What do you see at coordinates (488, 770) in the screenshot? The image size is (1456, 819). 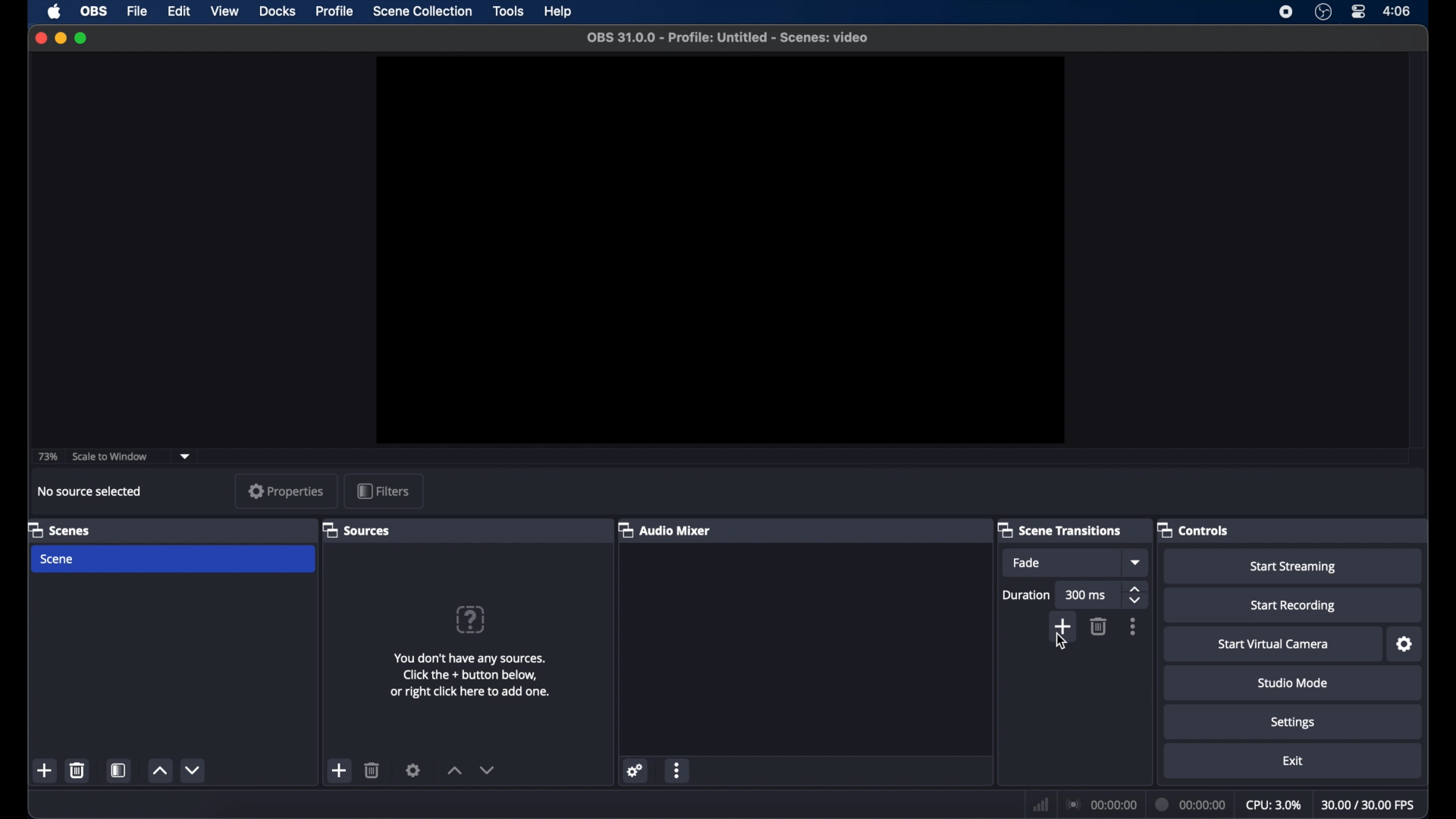 I see `decrement` at bounding box center [488, 770].